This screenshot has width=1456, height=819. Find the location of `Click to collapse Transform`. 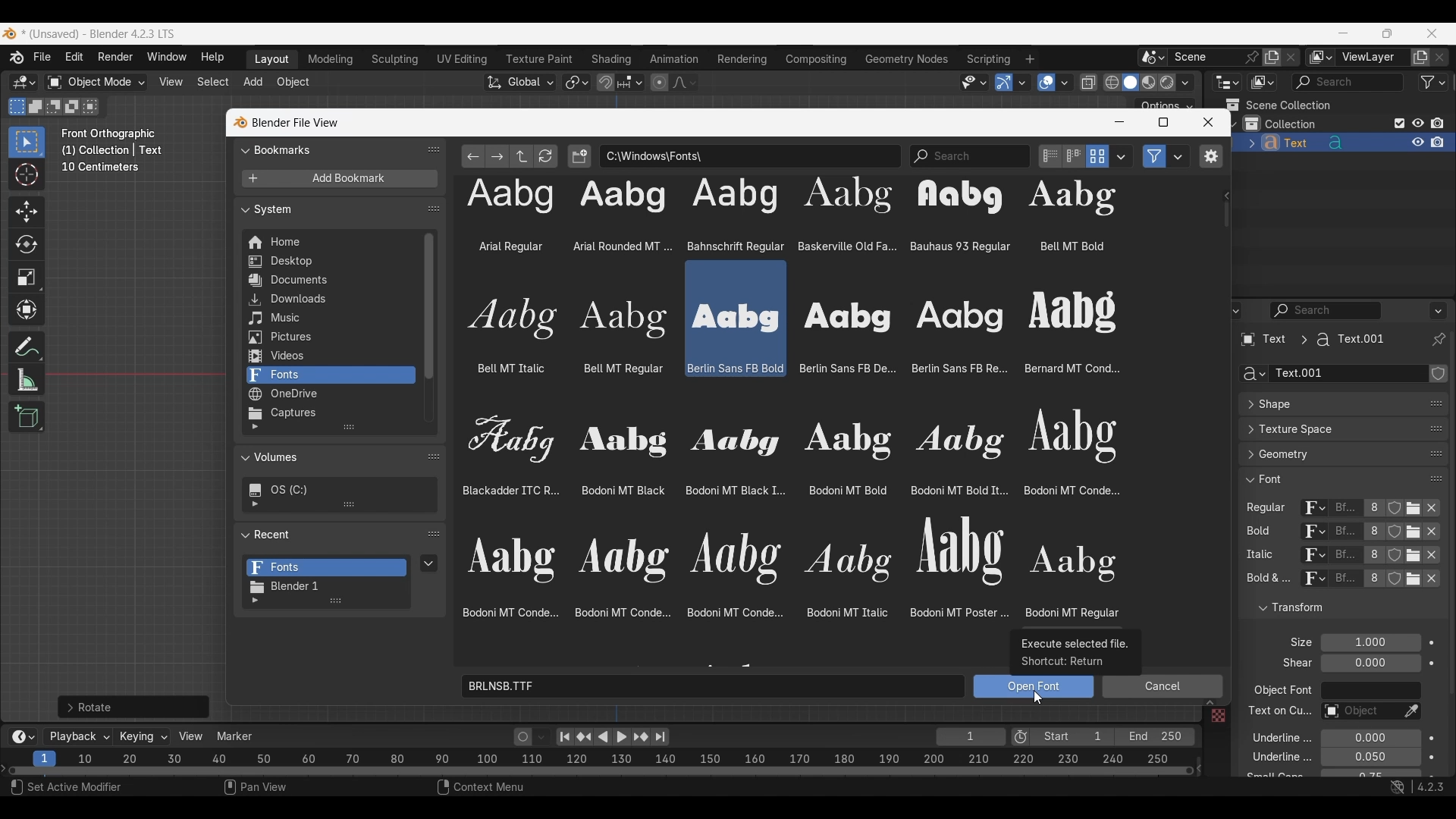

Click to collapse Transform is located at coordinates (1330, 608).